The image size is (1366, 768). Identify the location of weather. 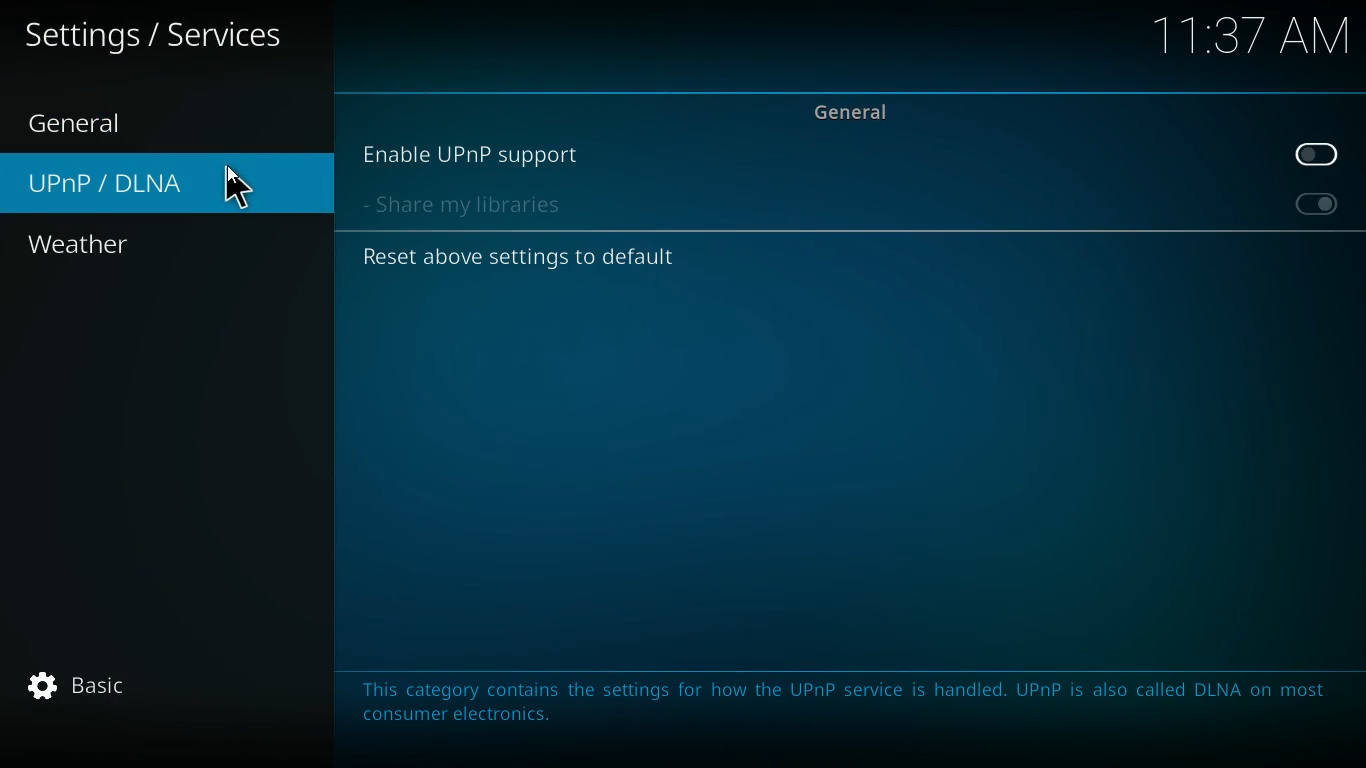
(125, 246).